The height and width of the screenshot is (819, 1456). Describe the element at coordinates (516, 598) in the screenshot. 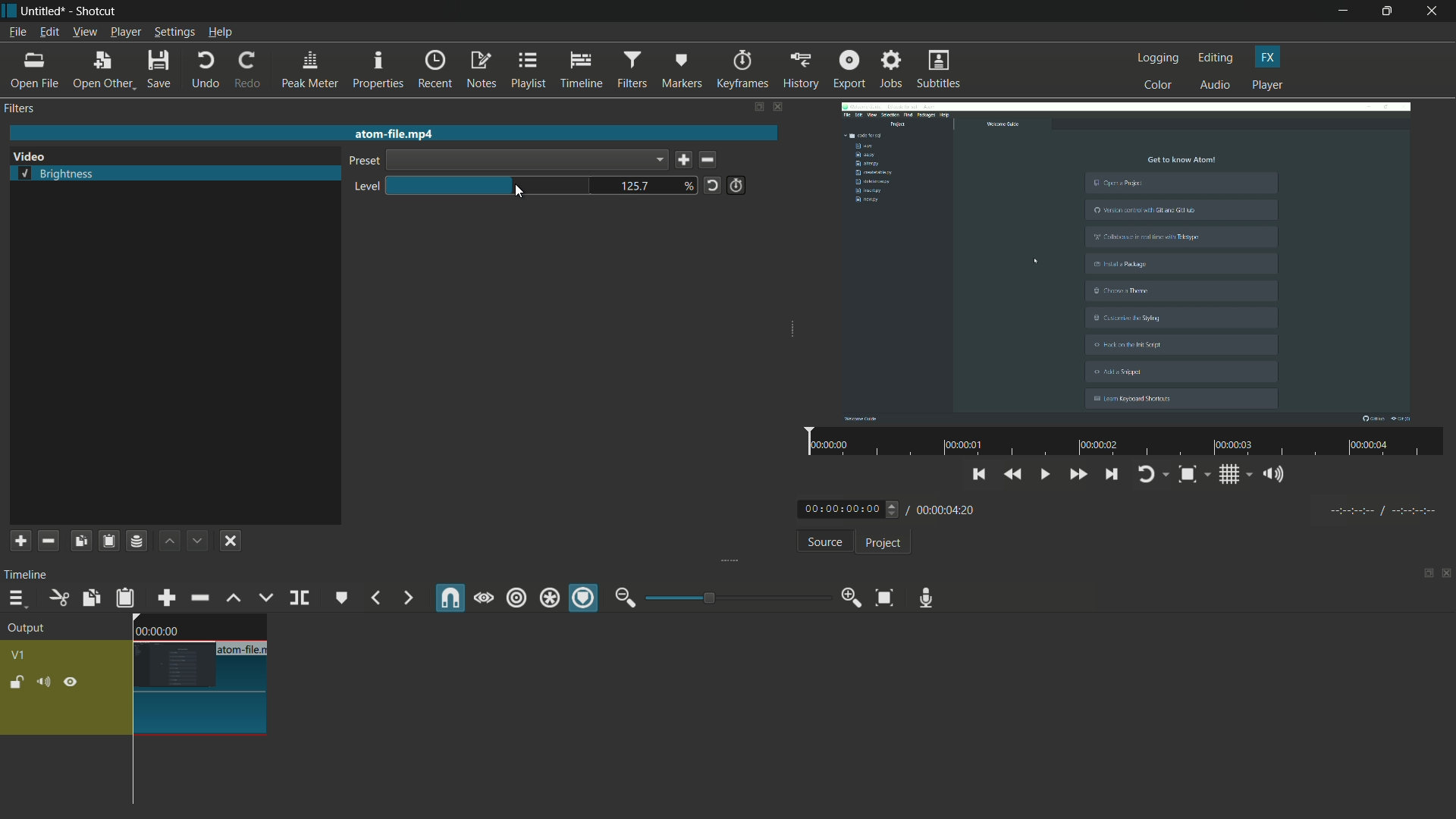

I see `ripple` at that location.